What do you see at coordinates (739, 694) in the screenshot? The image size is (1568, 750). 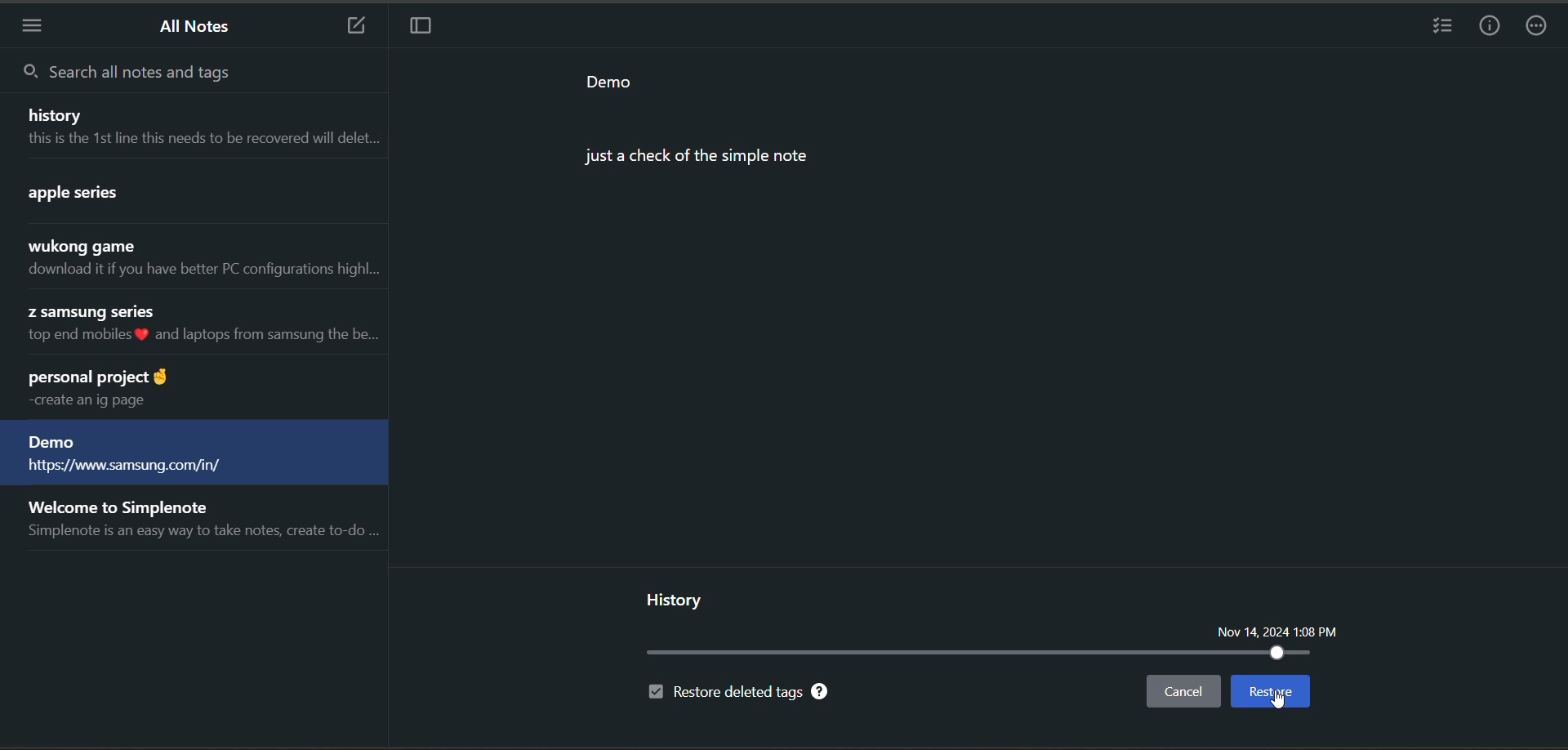 I see `restore deleted tags` at bounding box center [739, 694].